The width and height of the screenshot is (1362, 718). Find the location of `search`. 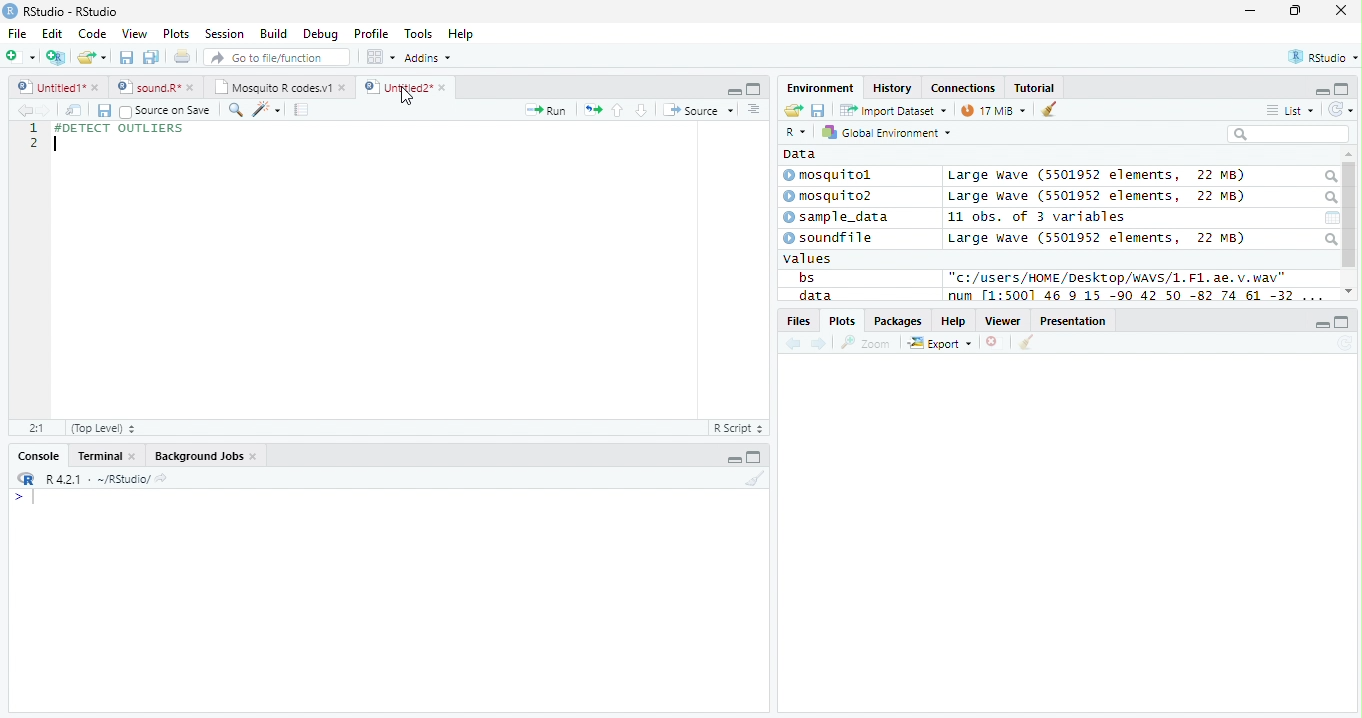

search is located at coordinates (1329, 177).